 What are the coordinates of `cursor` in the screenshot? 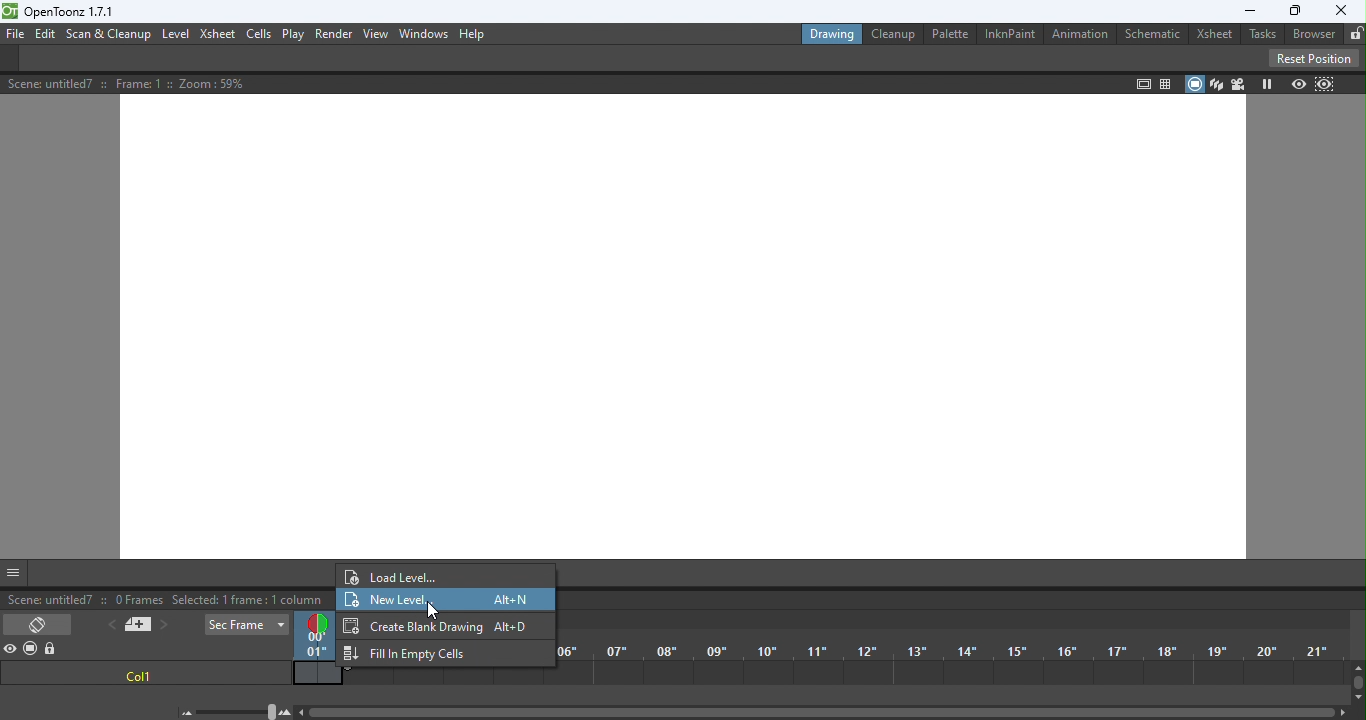 It's located at (435, 609).